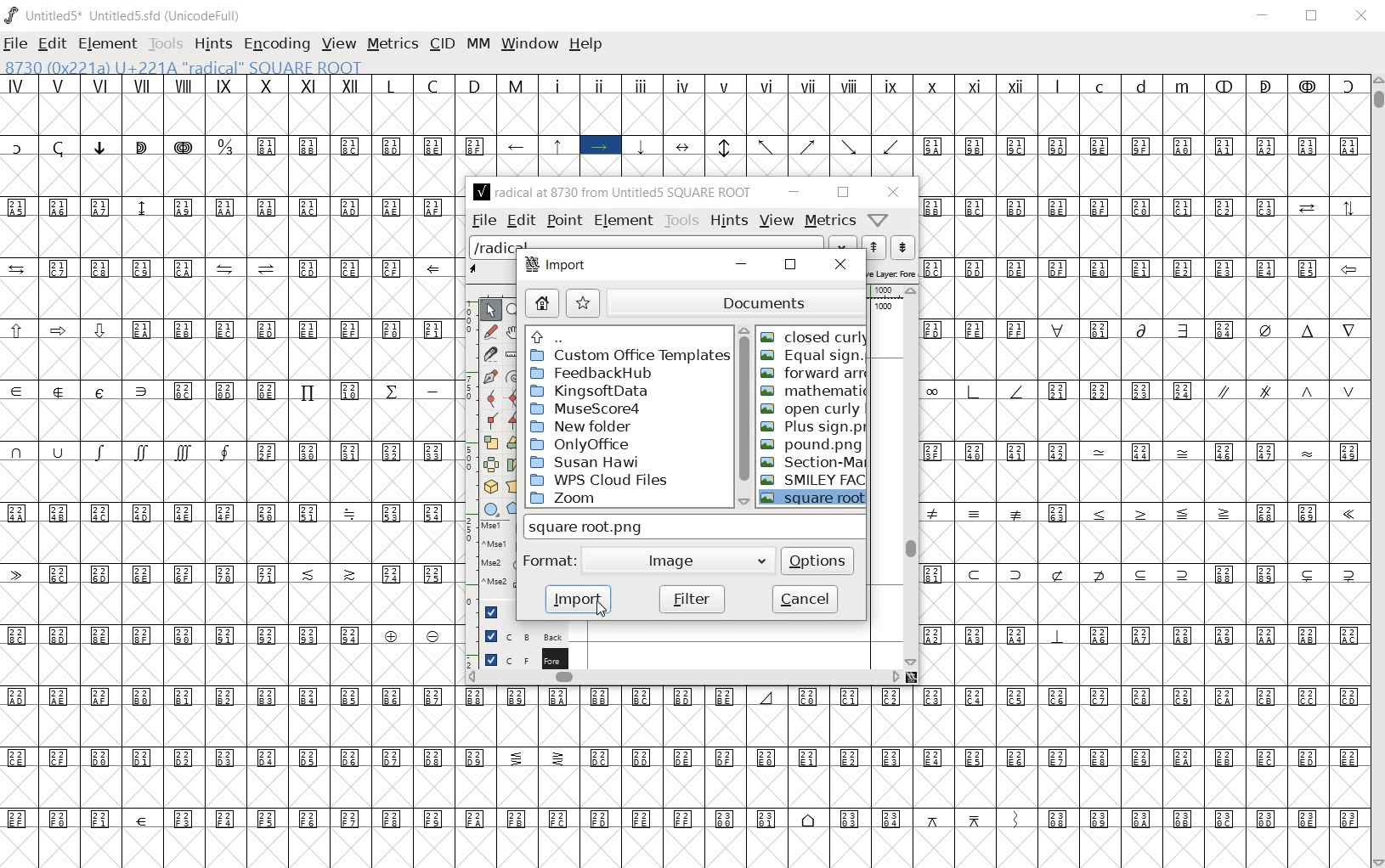  What do you see at coordinates (491, 397) in the screenshot?
I see `add a curve point always either horizontal or vertical` at bounding box center [491, 397].